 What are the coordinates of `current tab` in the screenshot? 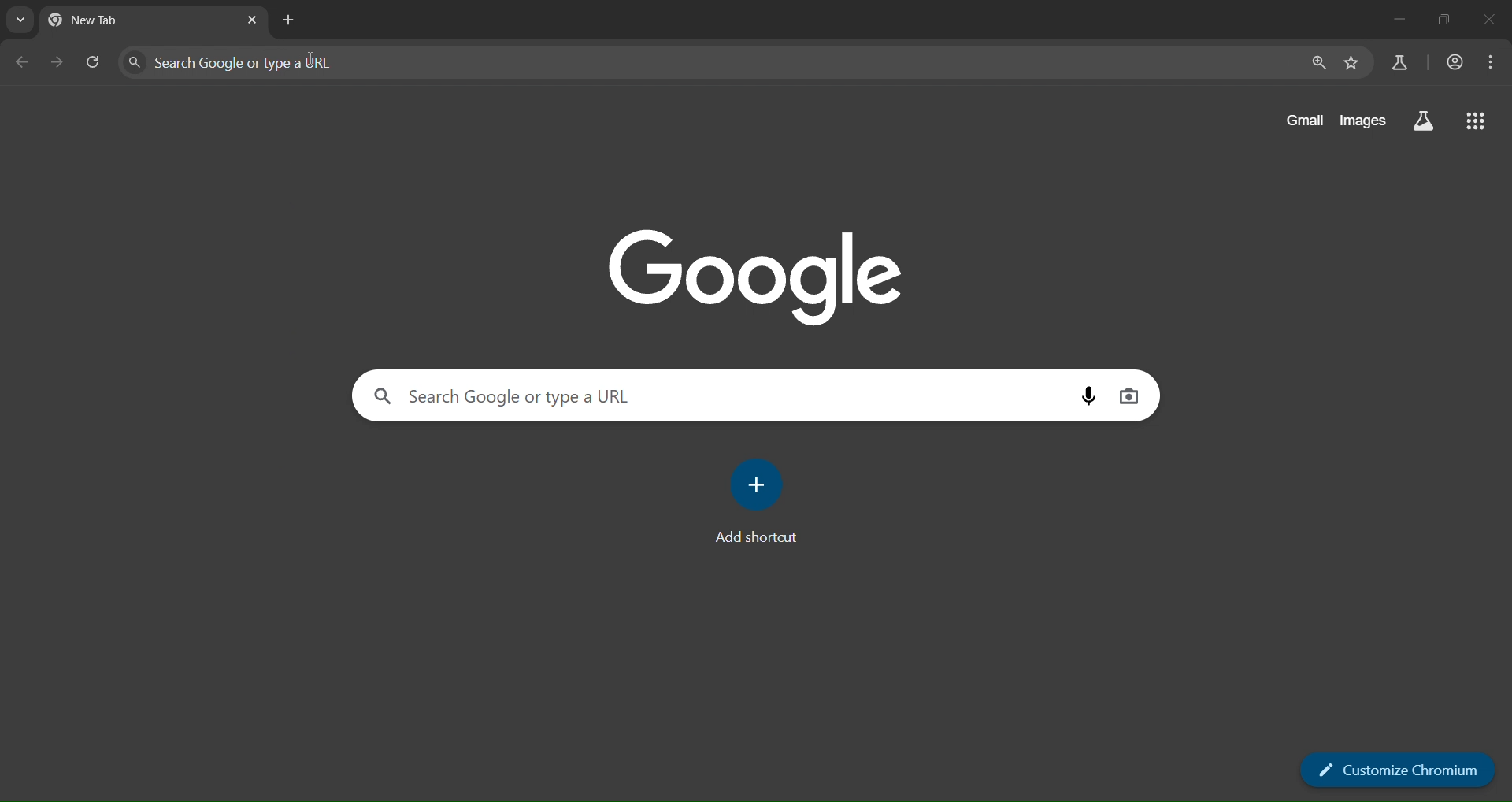 It's located at (109, 21).